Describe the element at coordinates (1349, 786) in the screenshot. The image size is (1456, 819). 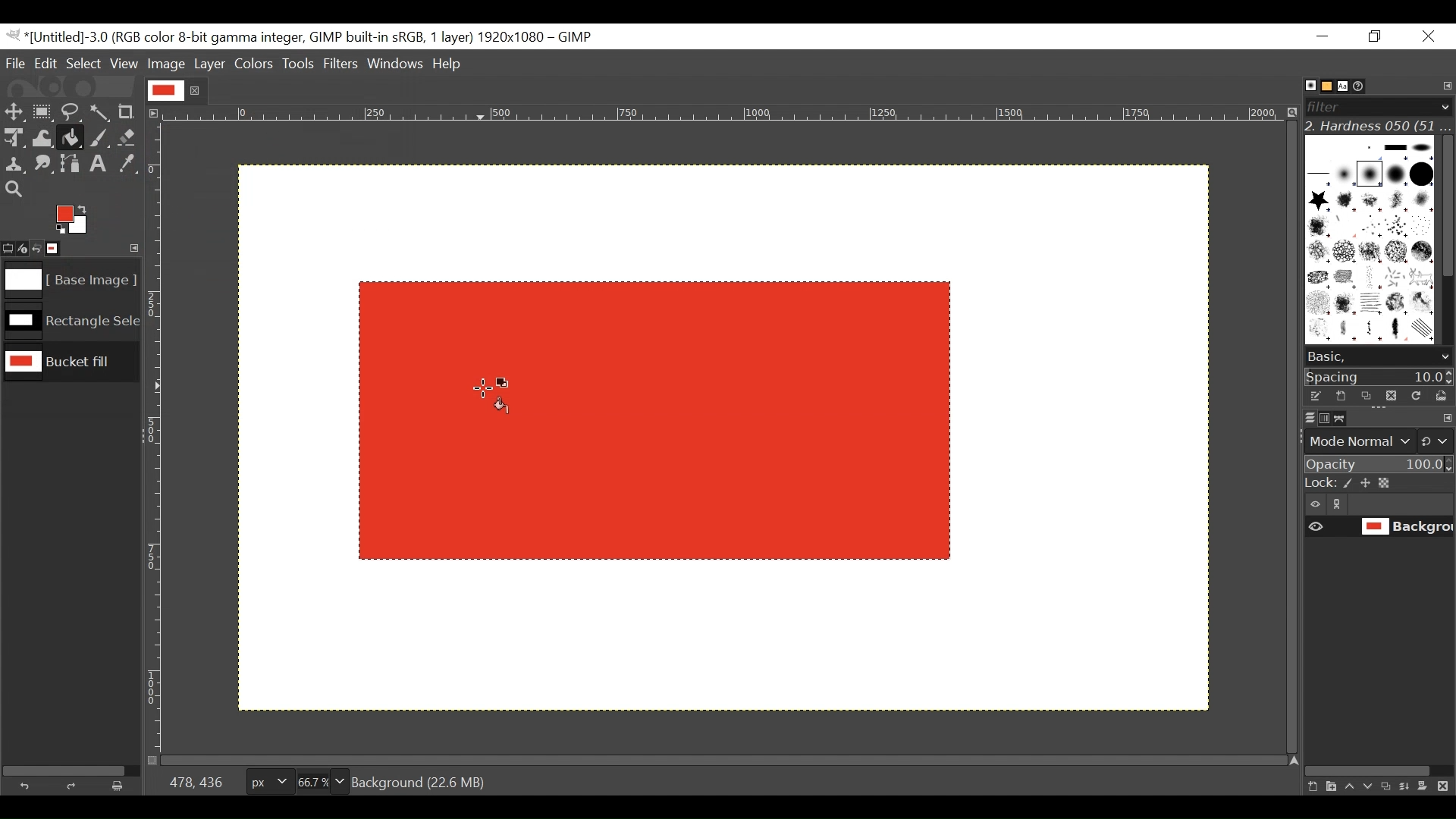
I see `Raise the layer` at that location.